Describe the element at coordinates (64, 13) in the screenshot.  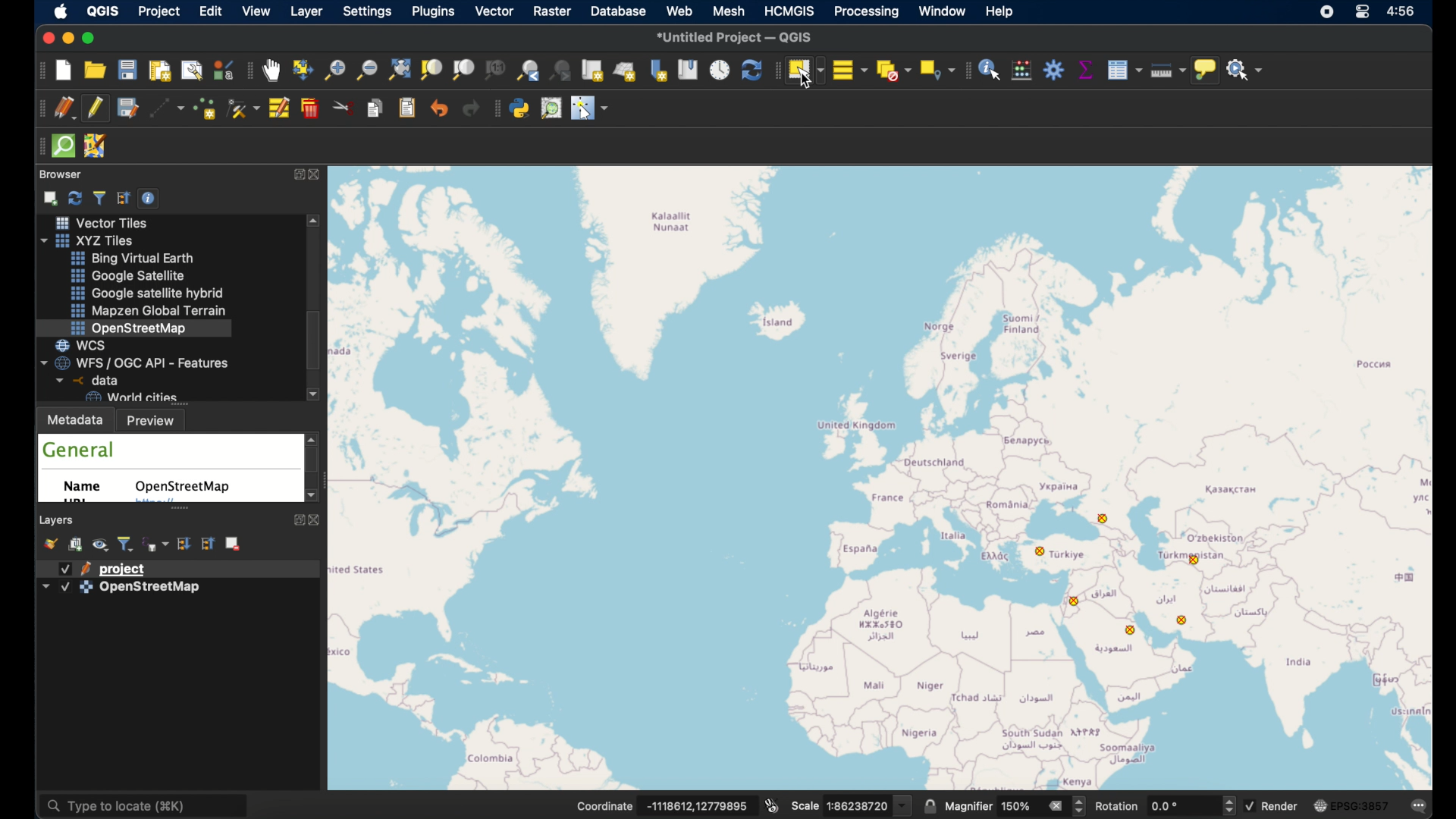
I see `apple icon` at that location.